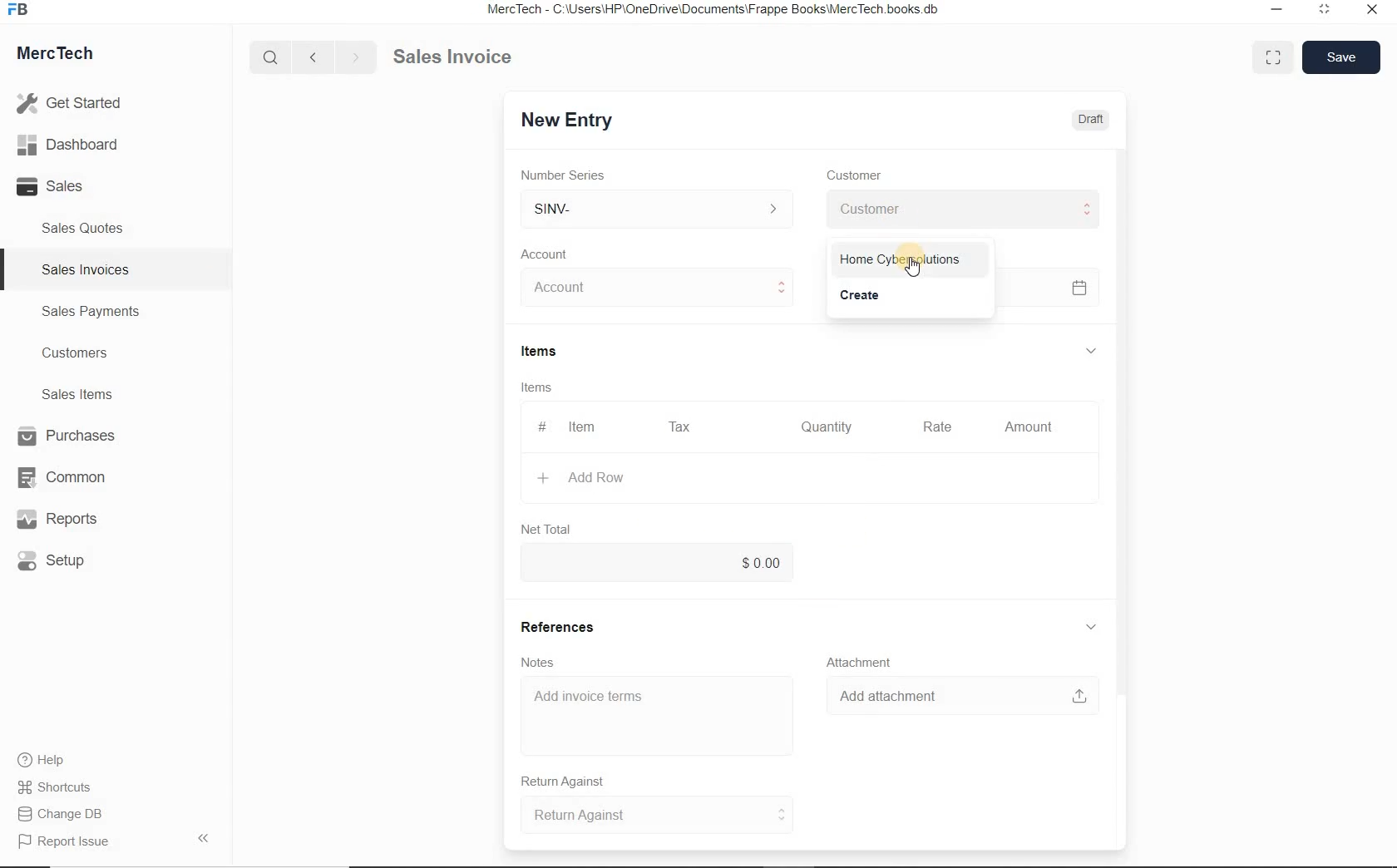 This screenshot has width=1397, height=868. I want to click on References, so click(558, 628).